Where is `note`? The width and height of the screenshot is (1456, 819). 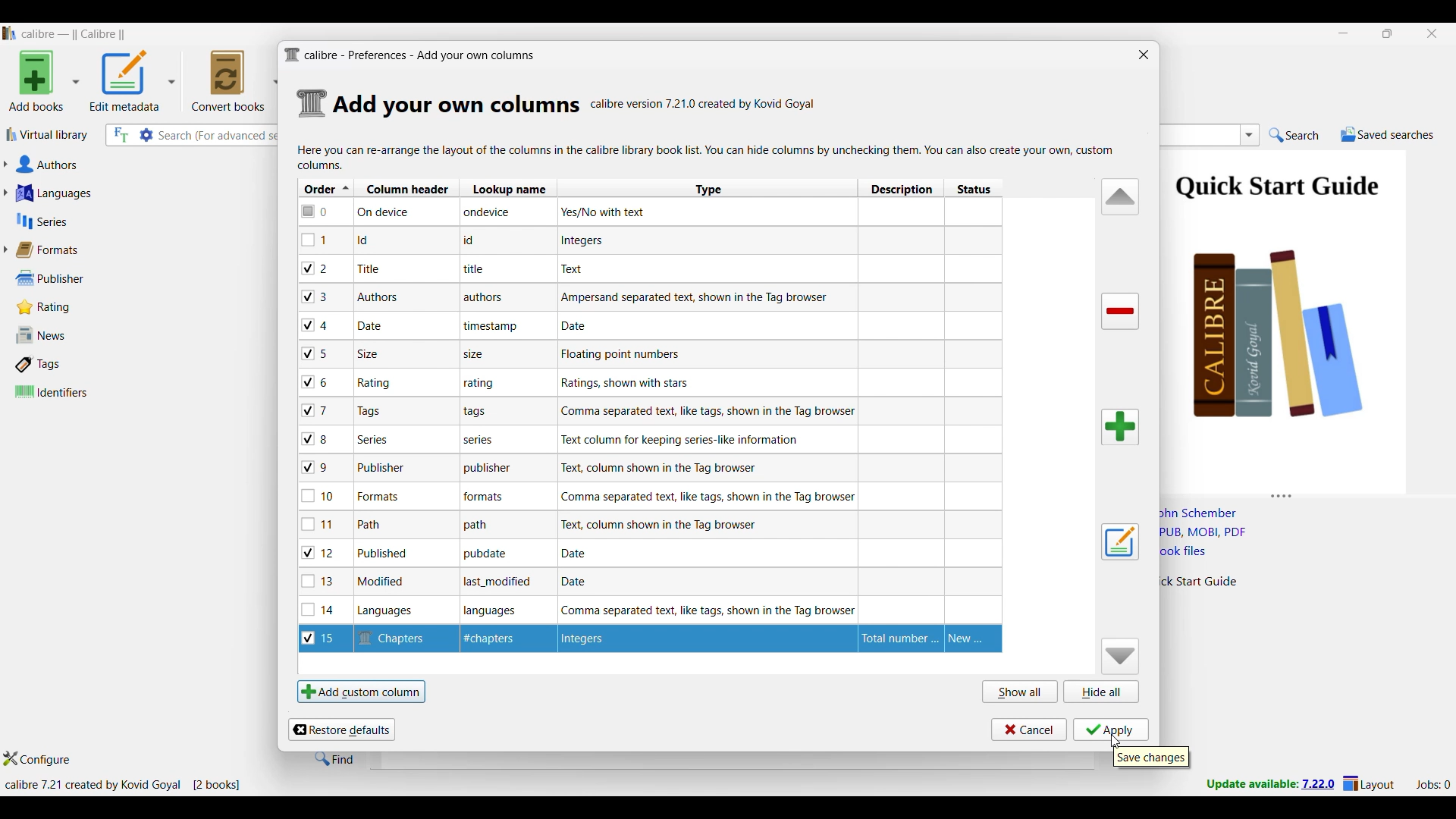 note is located at coordinates (491, 467).